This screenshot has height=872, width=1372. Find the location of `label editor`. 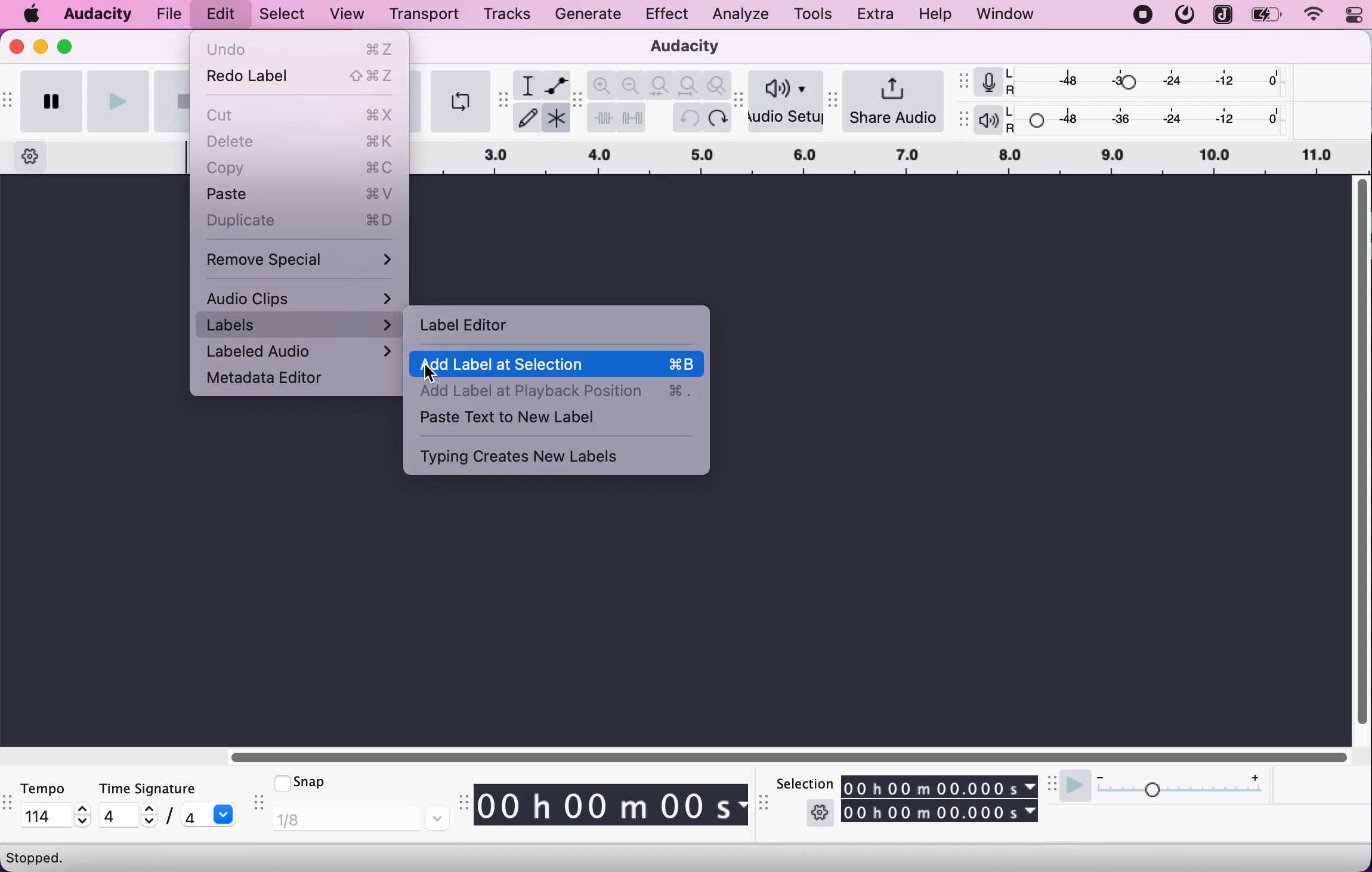

label editor is located at coordinates (466, 324).